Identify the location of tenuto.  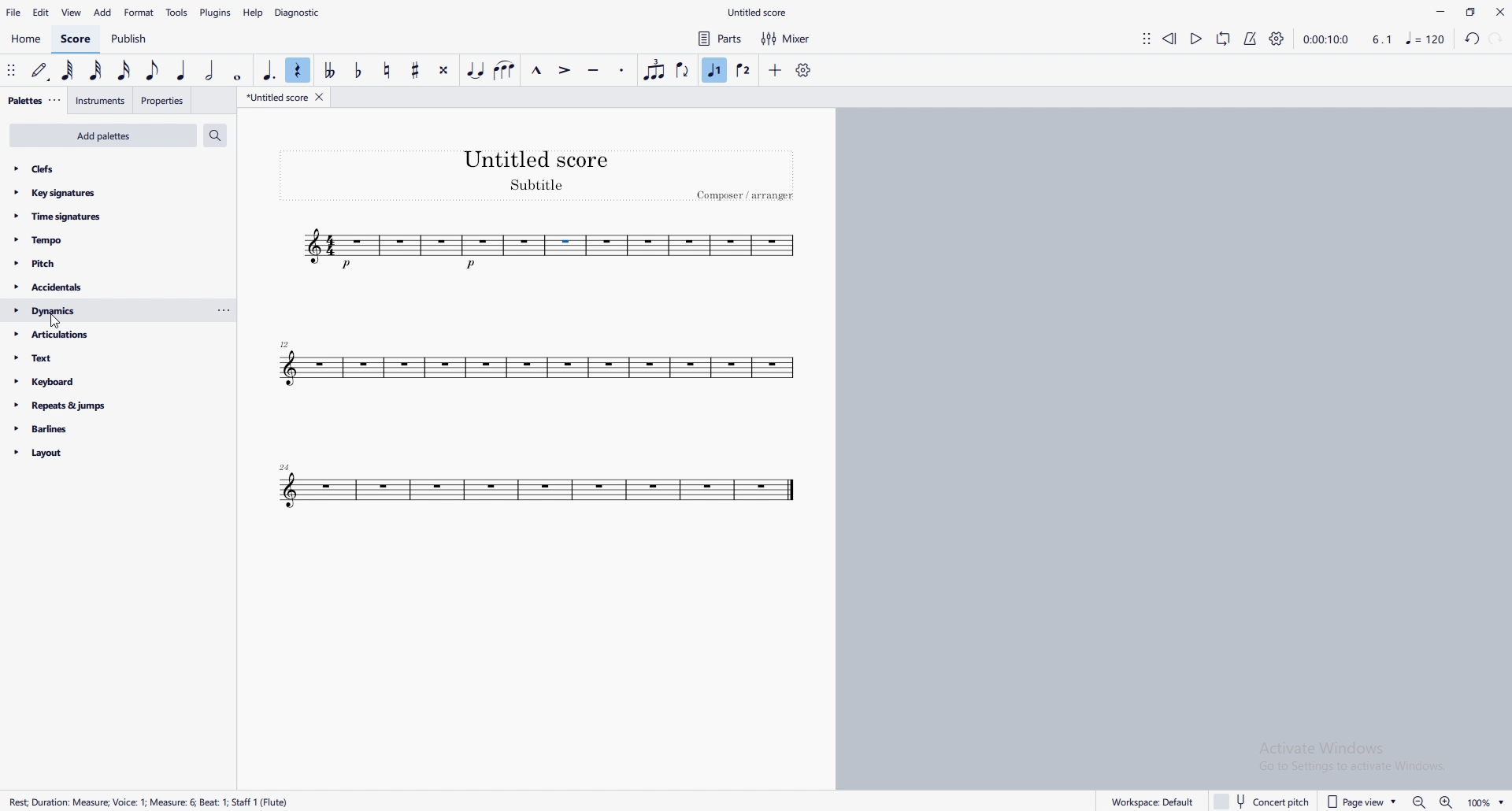
(594, 71).